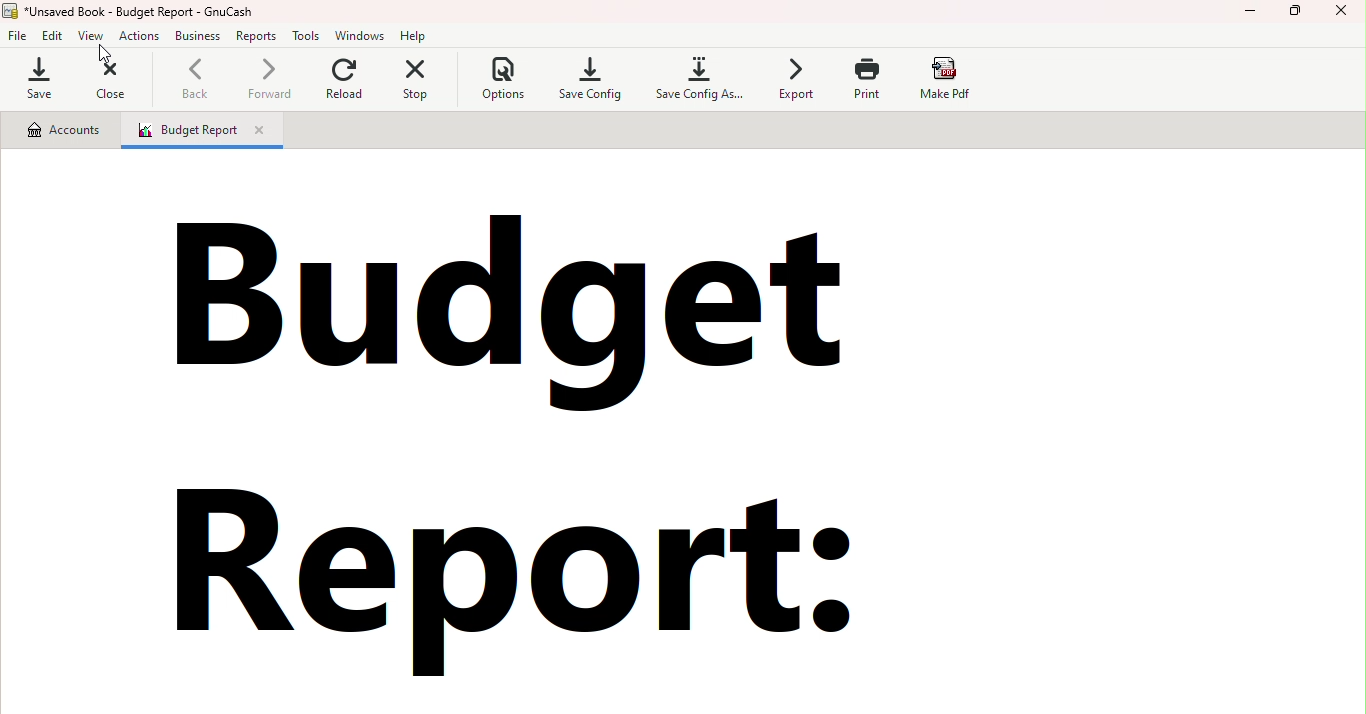 The height and width of the screenshot is (714, 1366). I want to click on budget report, so click(572, 442).